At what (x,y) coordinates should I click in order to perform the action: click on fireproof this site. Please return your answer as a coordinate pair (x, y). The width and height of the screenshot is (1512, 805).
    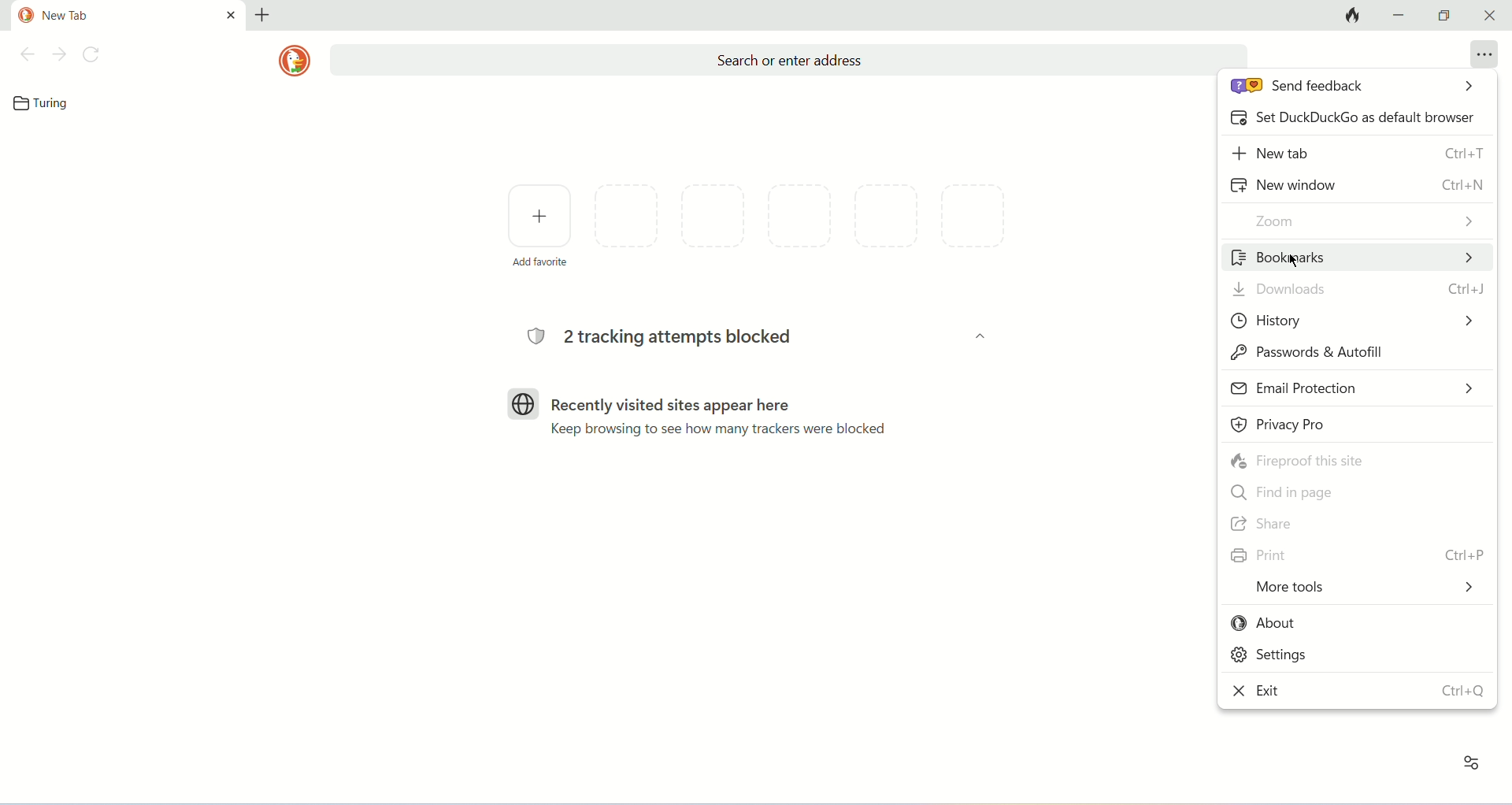
    Looking at the image, I should click on (1358, 461).